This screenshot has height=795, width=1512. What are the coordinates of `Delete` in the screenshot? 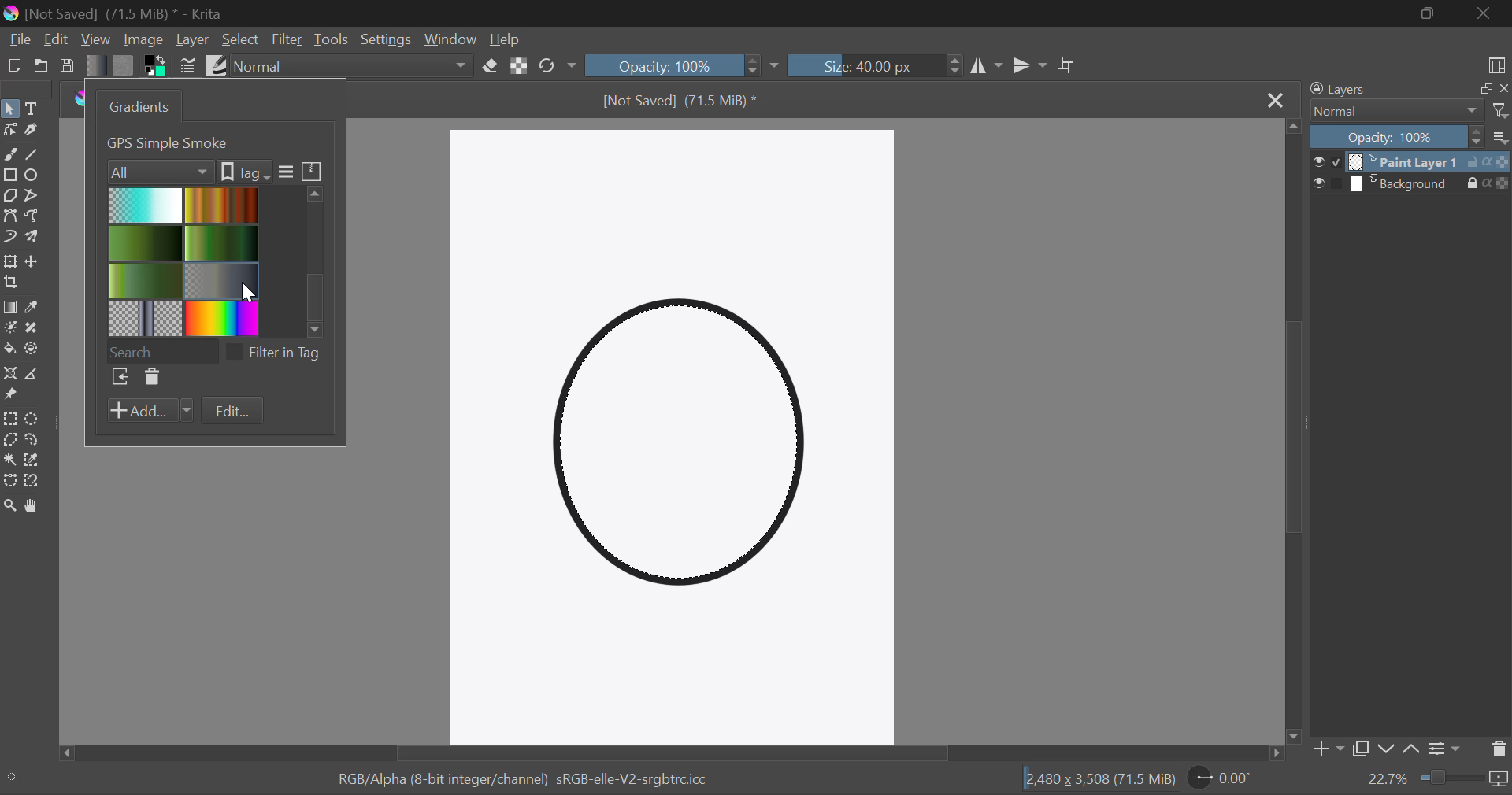 It's located at (153, 378).